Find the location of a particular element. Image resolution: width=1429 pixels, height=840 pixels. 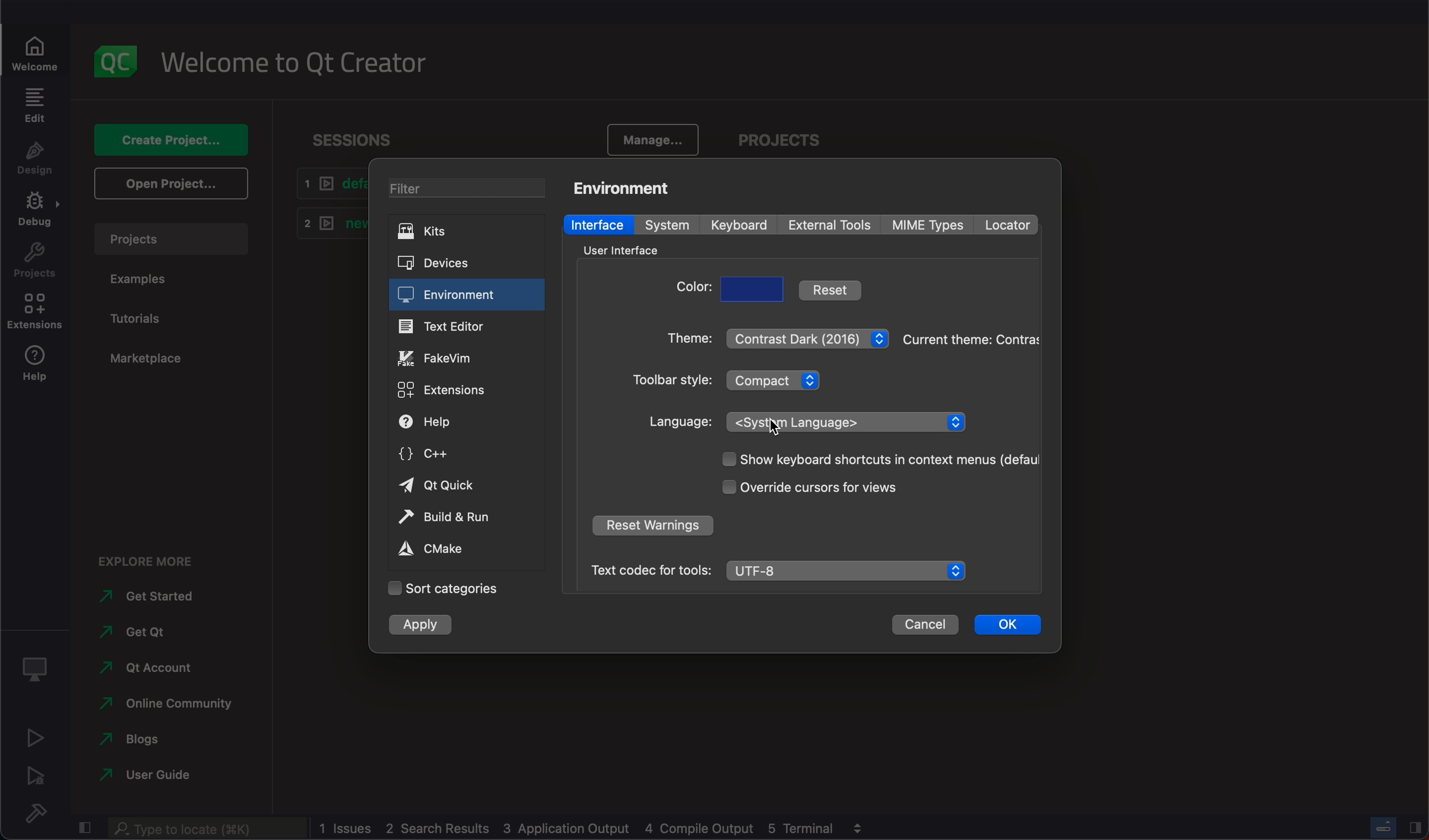

manage is located at coordinates (650, 139).